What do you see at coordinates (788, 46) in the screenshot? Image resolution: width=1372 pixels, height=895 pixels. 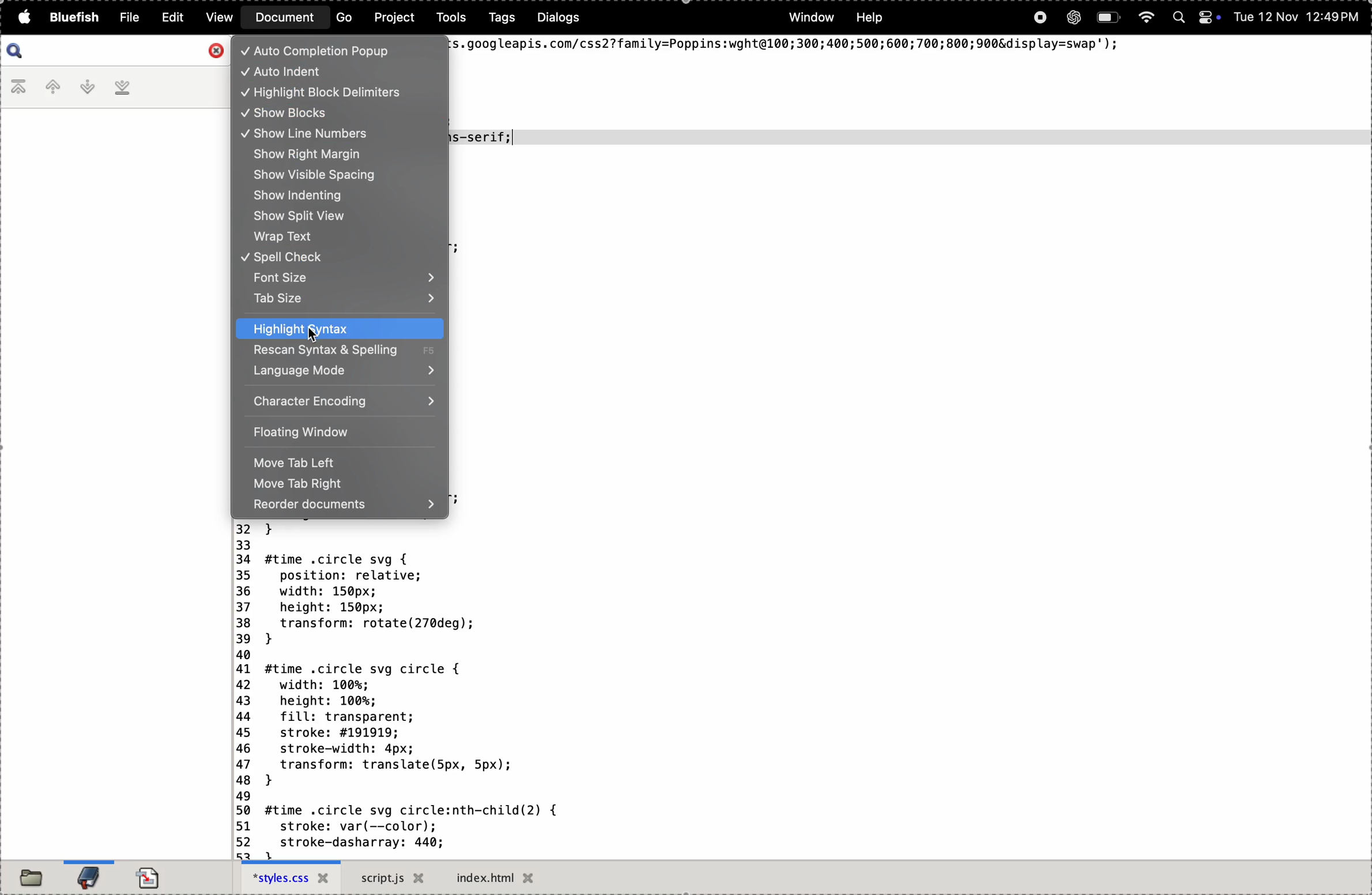 I see `s.googleapis.com/css2?family=Poppins:wght@100;300;400;500;600;700;800;900&display=swap"');` at bounding box center [788, 46].